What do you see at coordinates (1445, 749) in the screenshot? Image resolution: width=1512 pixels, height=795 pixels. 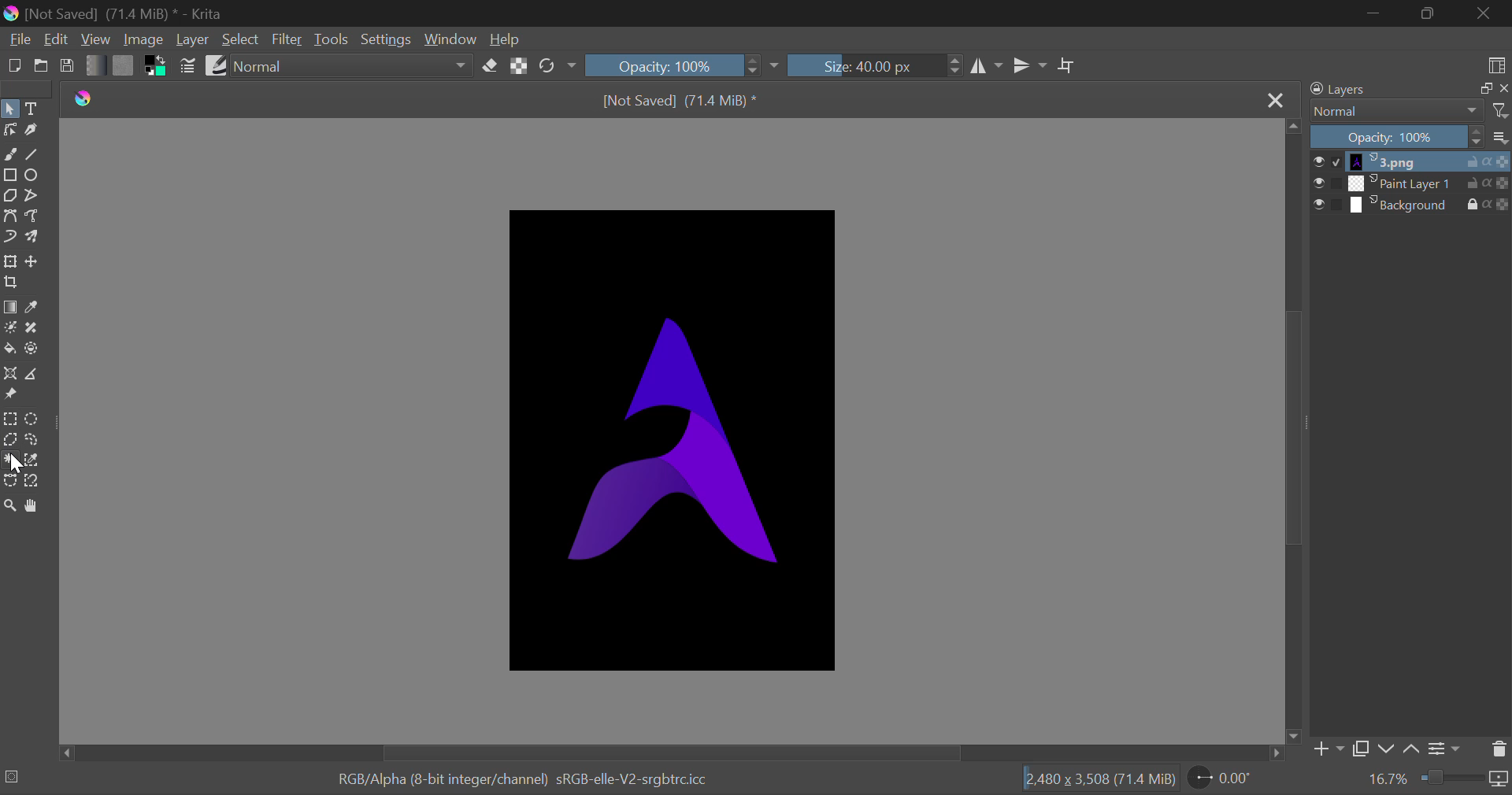 I see `Settings` at bounding box center [1445, 749].